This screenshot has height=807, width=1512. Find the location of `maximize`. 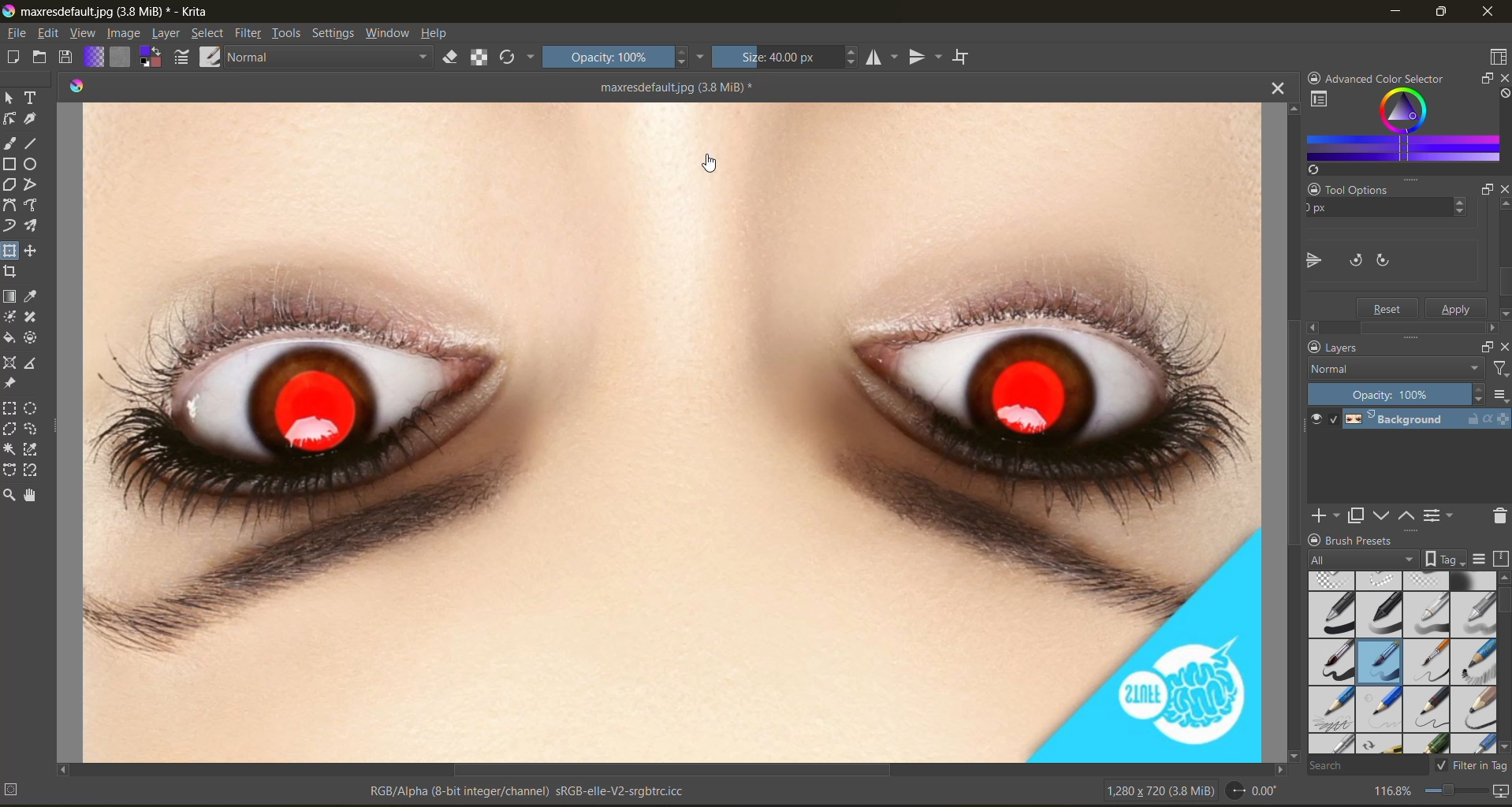

maximize is located at coordinates (1448, 14).